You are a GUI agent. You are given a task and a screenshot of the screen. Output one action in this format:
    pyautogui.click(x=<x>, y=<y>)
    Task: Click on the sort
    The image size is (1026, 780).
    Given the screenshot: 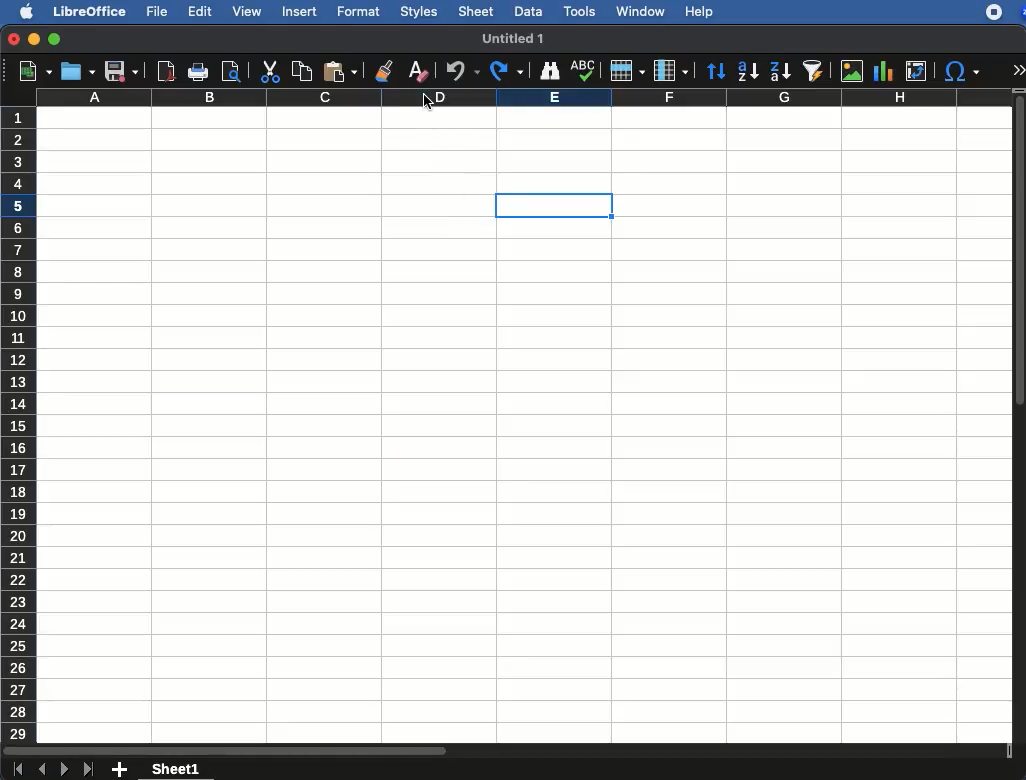 What is the action you would take?
    pyautogui.click(x=716, y=71)
    